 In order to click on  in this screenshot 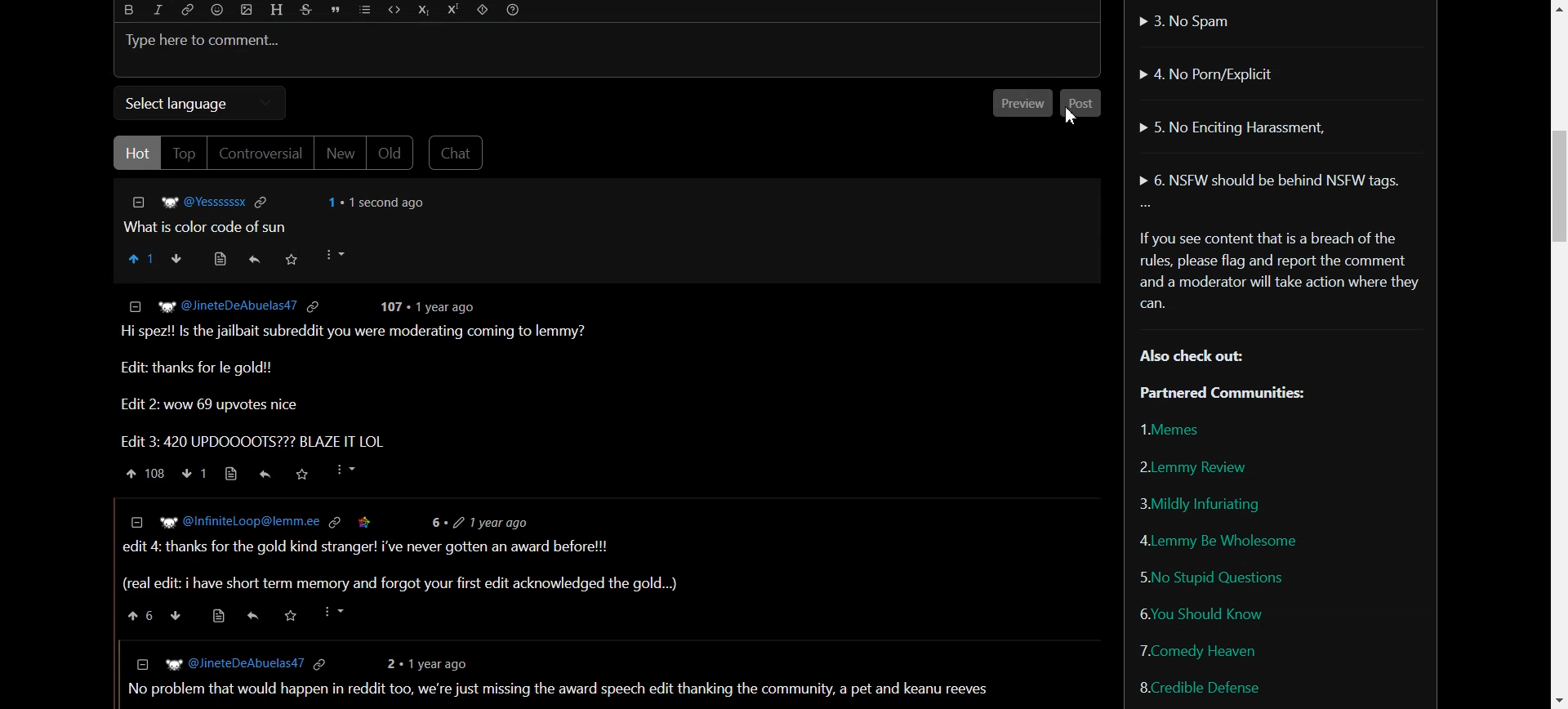, I will do `click(1023, 101)`.